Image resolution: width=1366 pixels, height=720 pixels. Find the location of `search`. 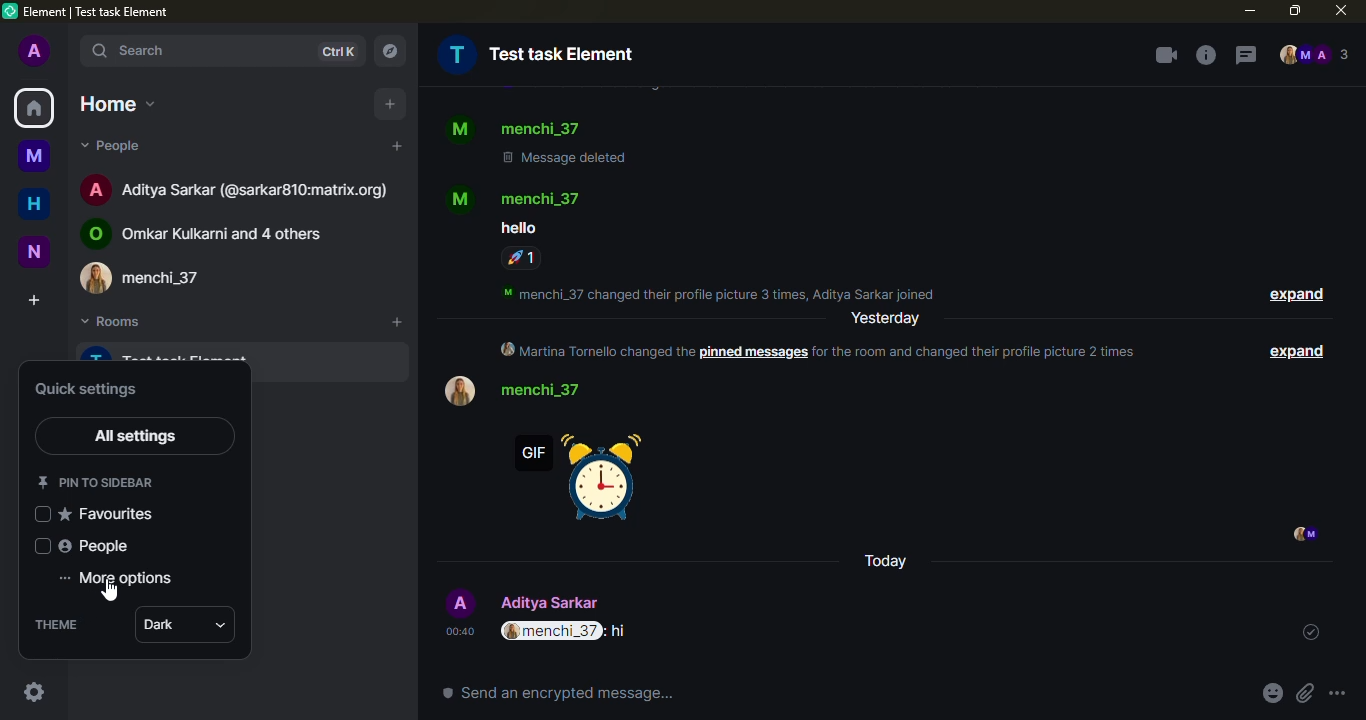

search is located at coordinates (130, 51).